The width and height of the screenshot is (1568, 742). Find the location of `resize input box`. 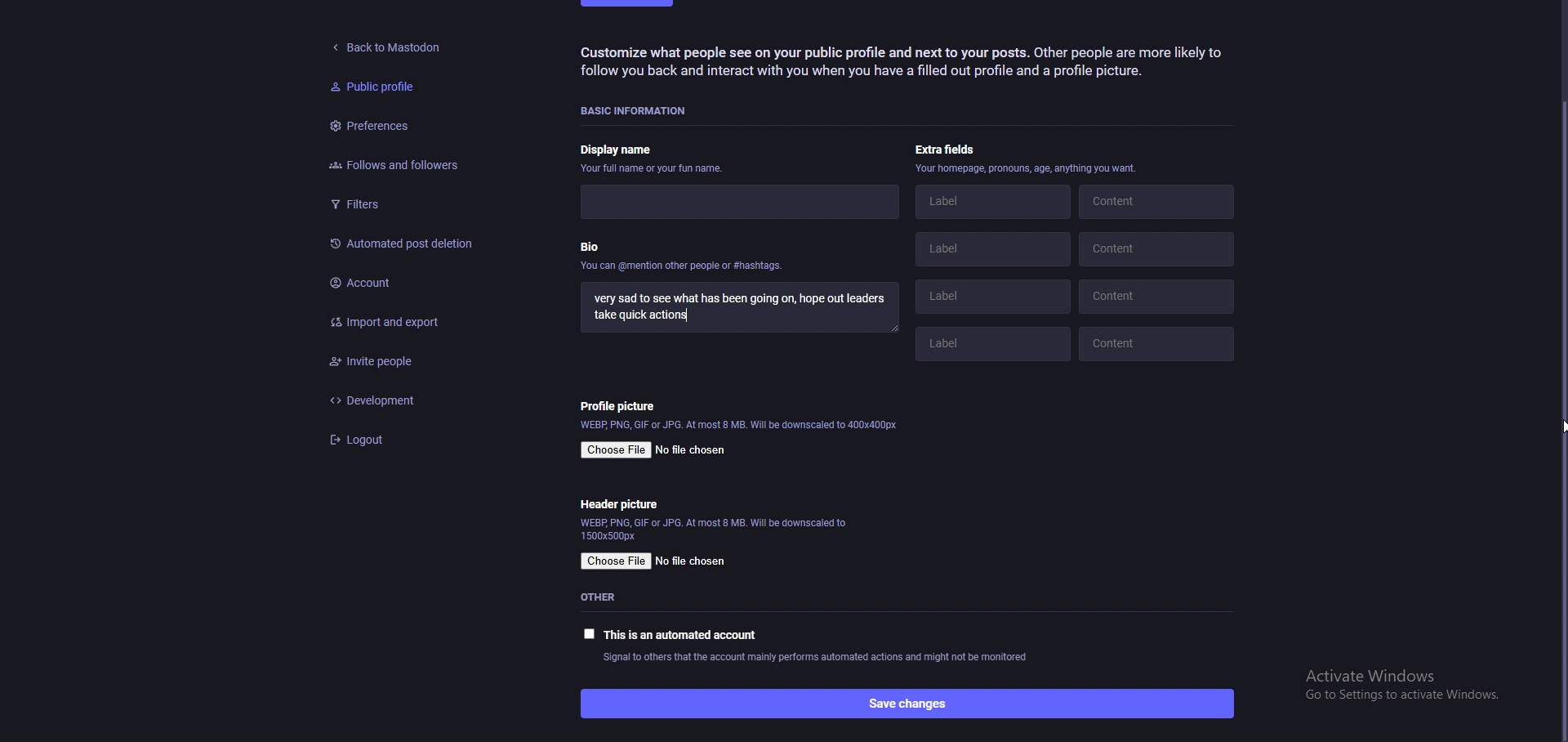

resize input box is located at coordinates (897, 330).